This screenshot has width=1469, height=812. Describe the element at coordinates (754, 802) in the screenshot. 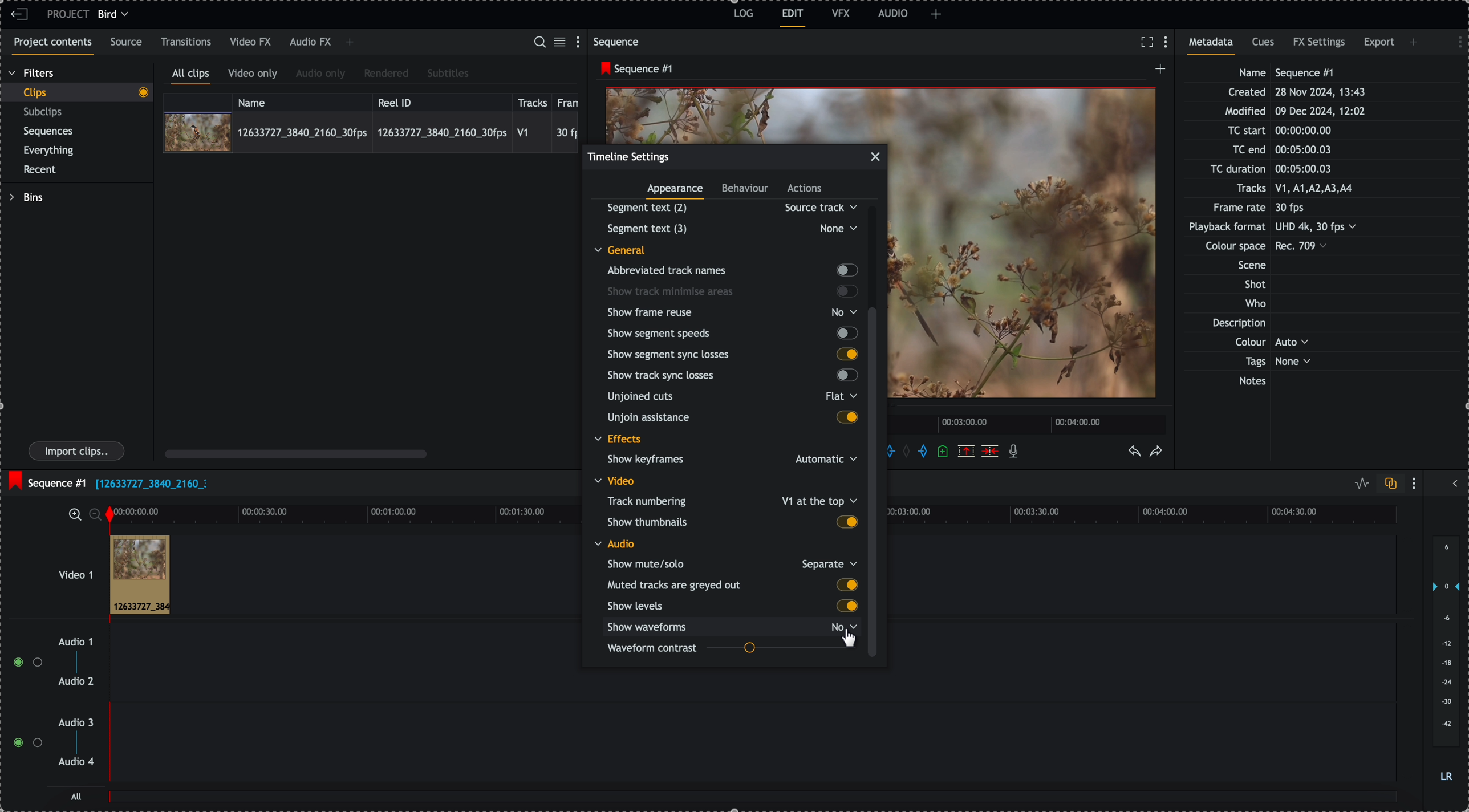

I see `all` at that location.